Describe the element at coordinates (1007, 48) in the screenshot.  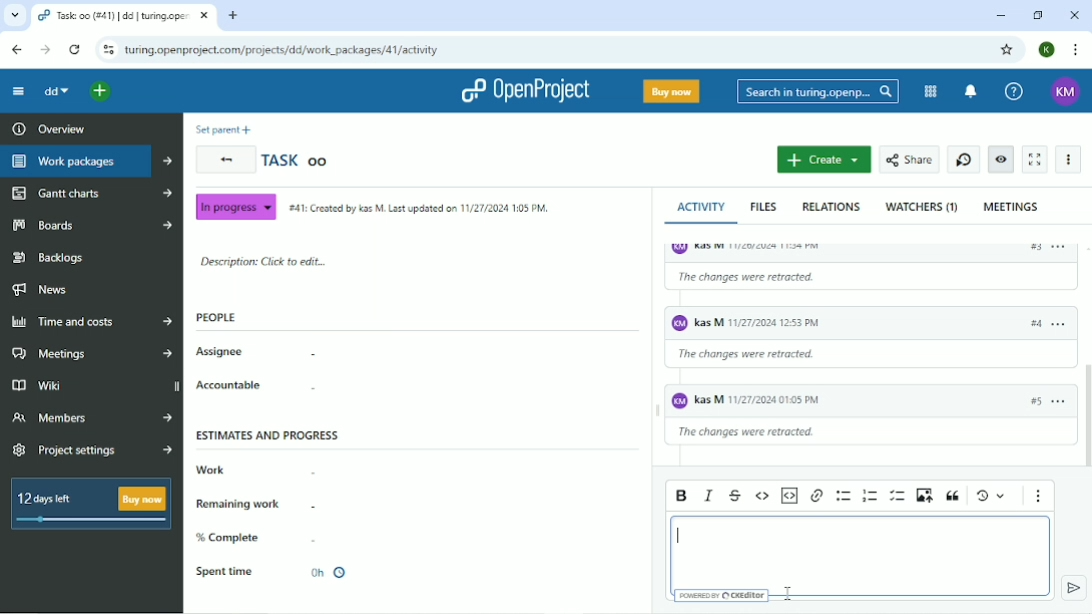
I see `Bookmark this tab` at that location.